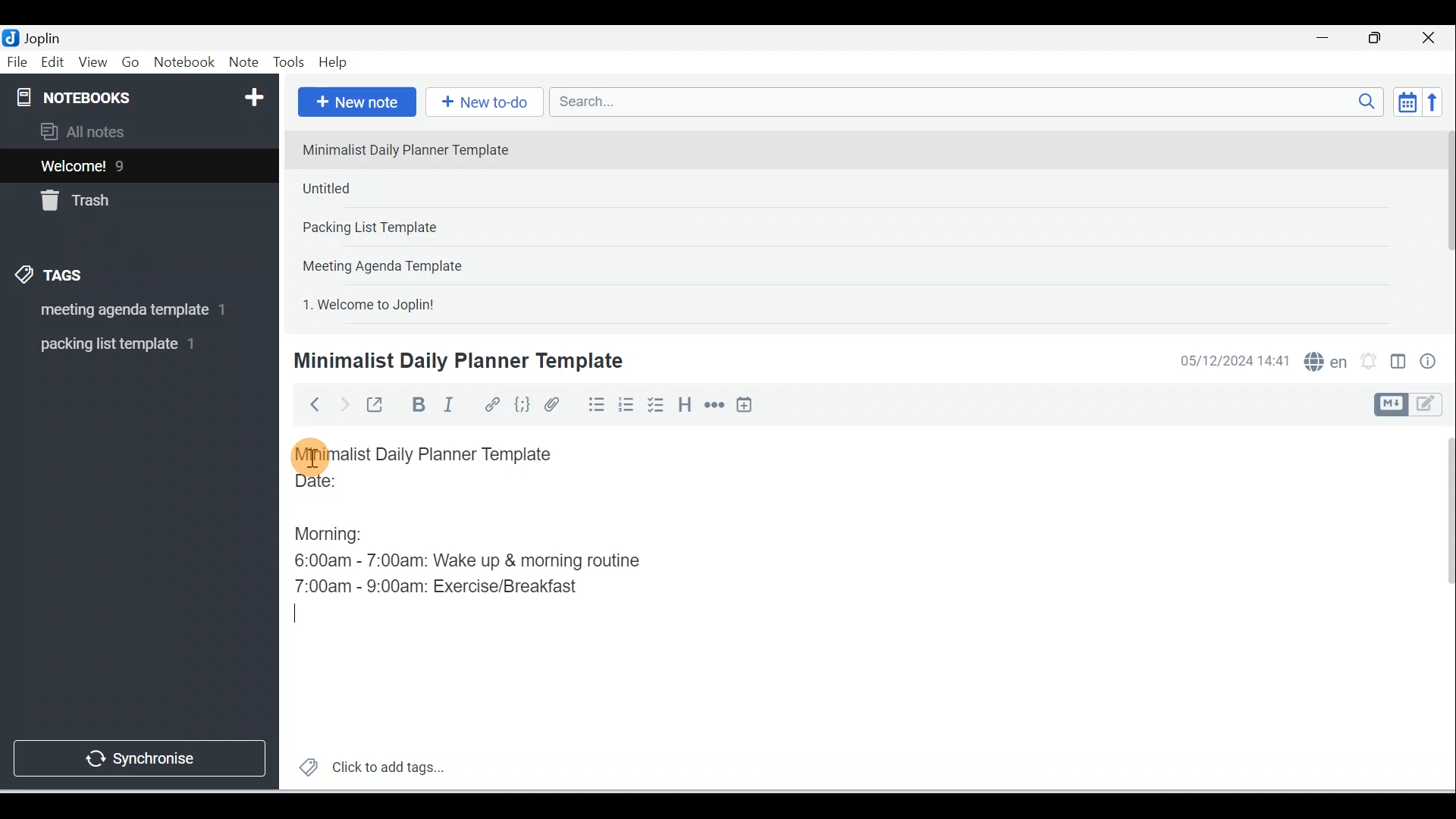 This screenshot has height=819, width=1456. What do you see at coordinates (128, 162) in the screenshot?
I see `Notes` at bounding box center [128, 162].